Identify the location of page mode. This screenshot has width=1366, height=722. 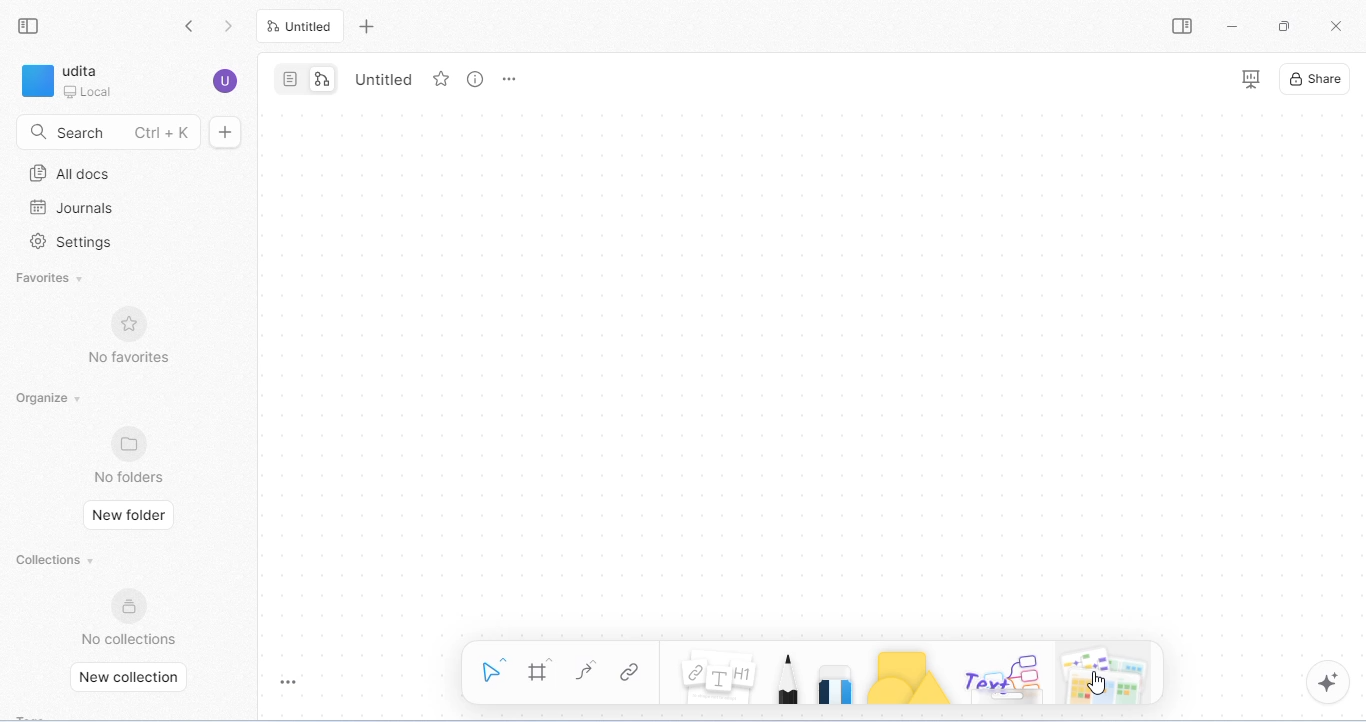
(291, 79).